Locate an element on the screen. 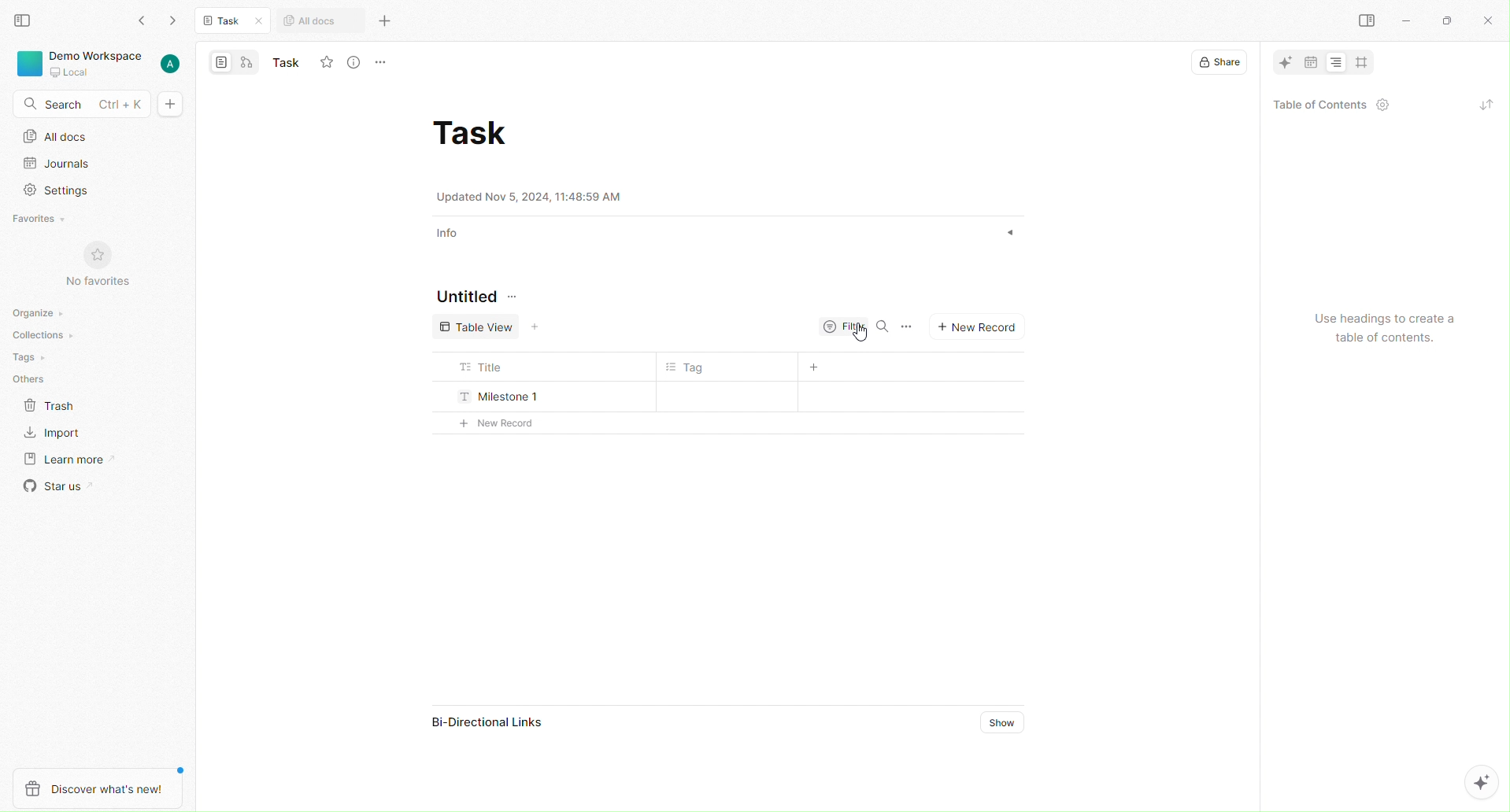 The width and height of the screenshot is (1510, 812). Others is located at coordinates (32, 381).